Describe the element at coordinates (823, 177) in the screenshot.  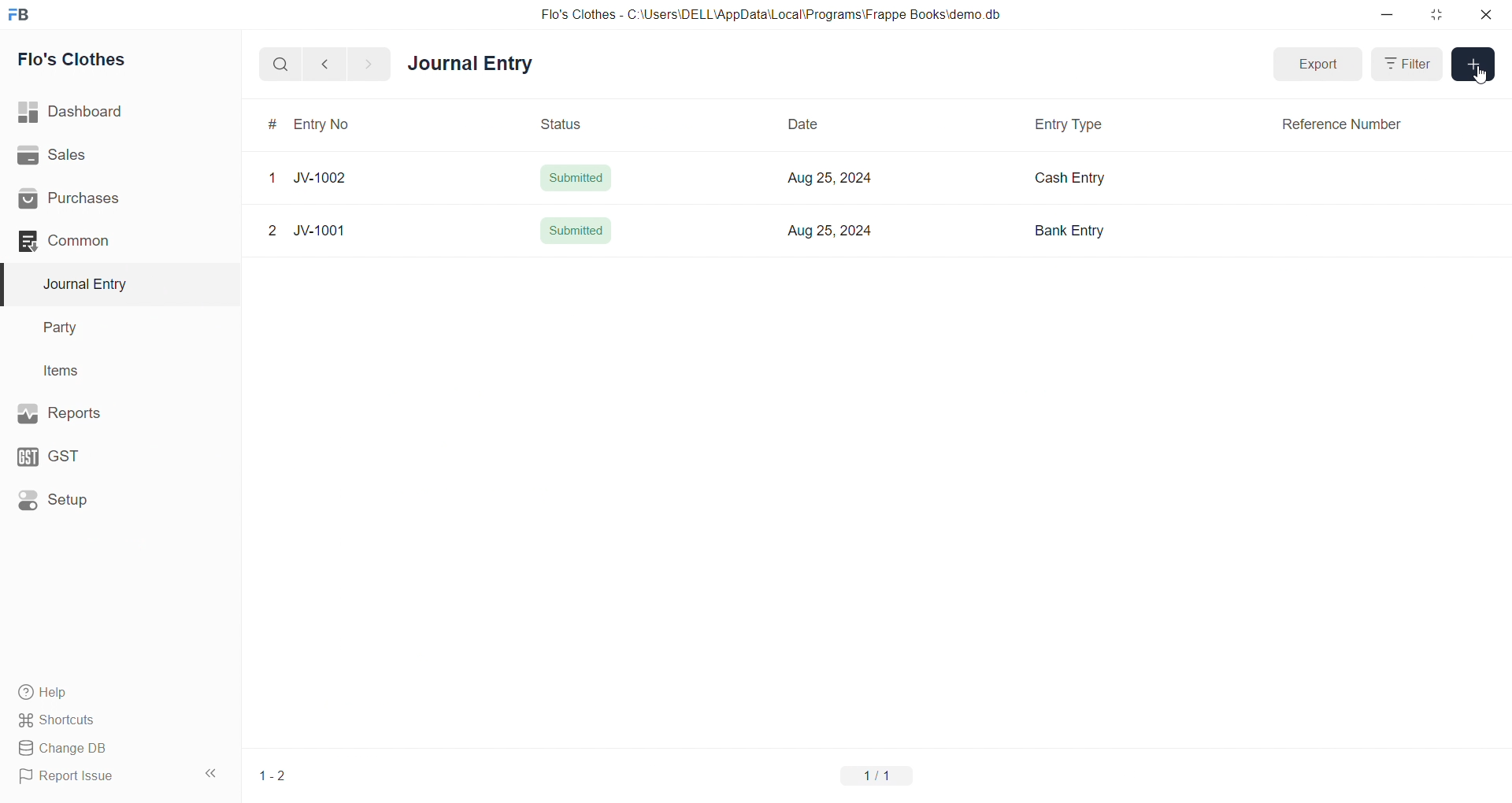
I see `Aug 25, 2024` at that location.